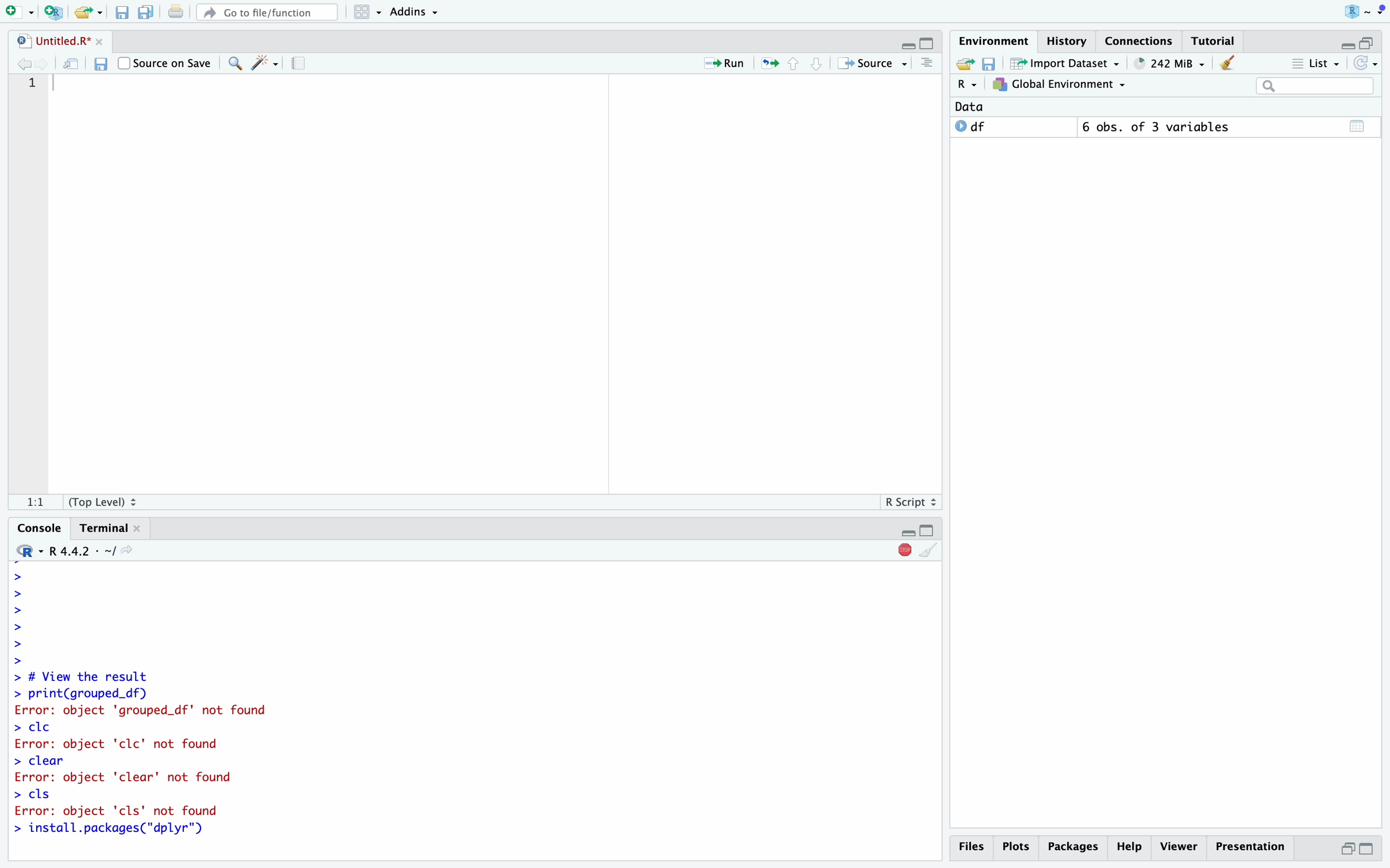 The height and width of the screenshot is (868, 1390). What do you see at coordinates (816, 63) in the screenshot?
I see `Go to next section` at bounding box center [816, 63].